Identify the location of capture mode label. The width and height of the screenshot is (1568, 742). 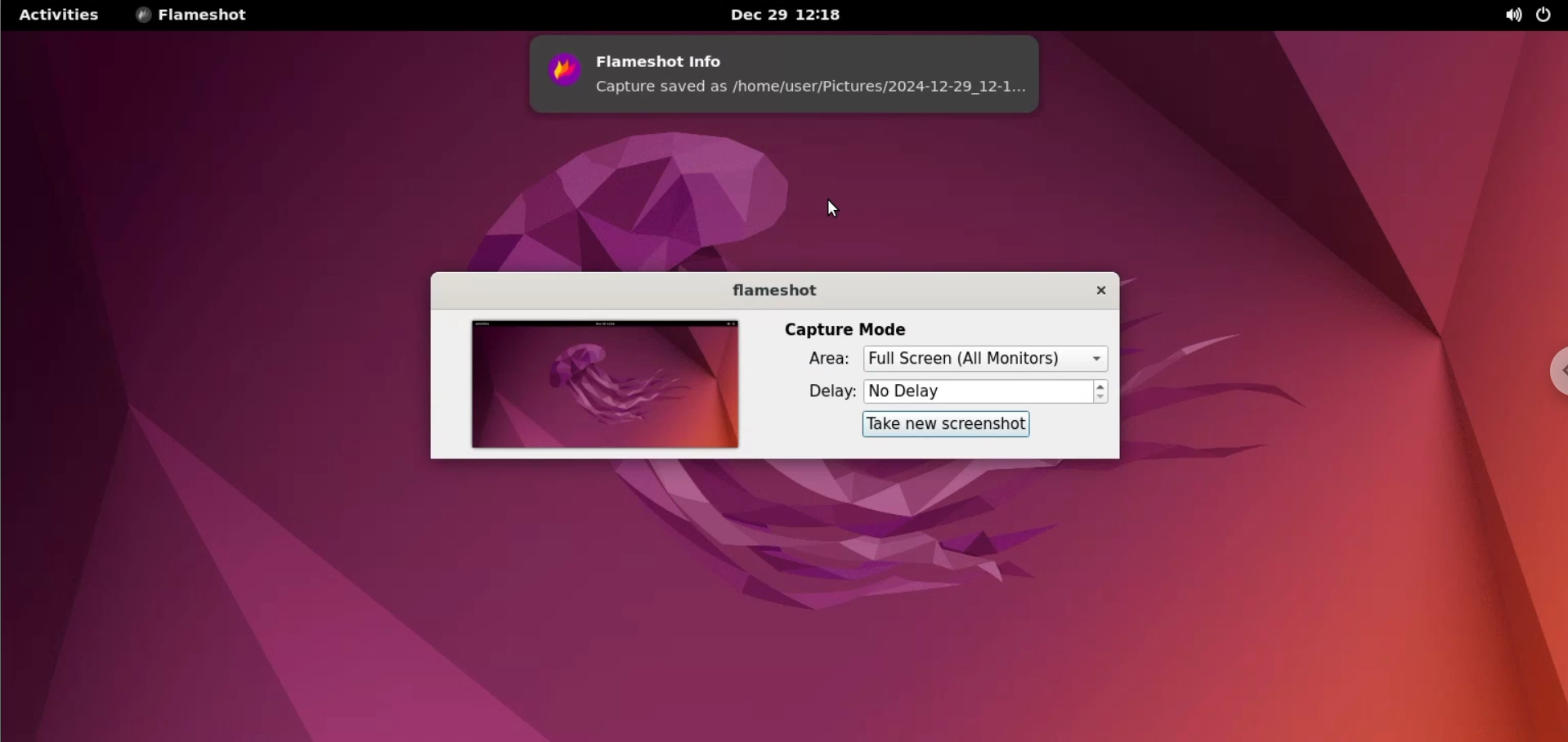
(859, 331).